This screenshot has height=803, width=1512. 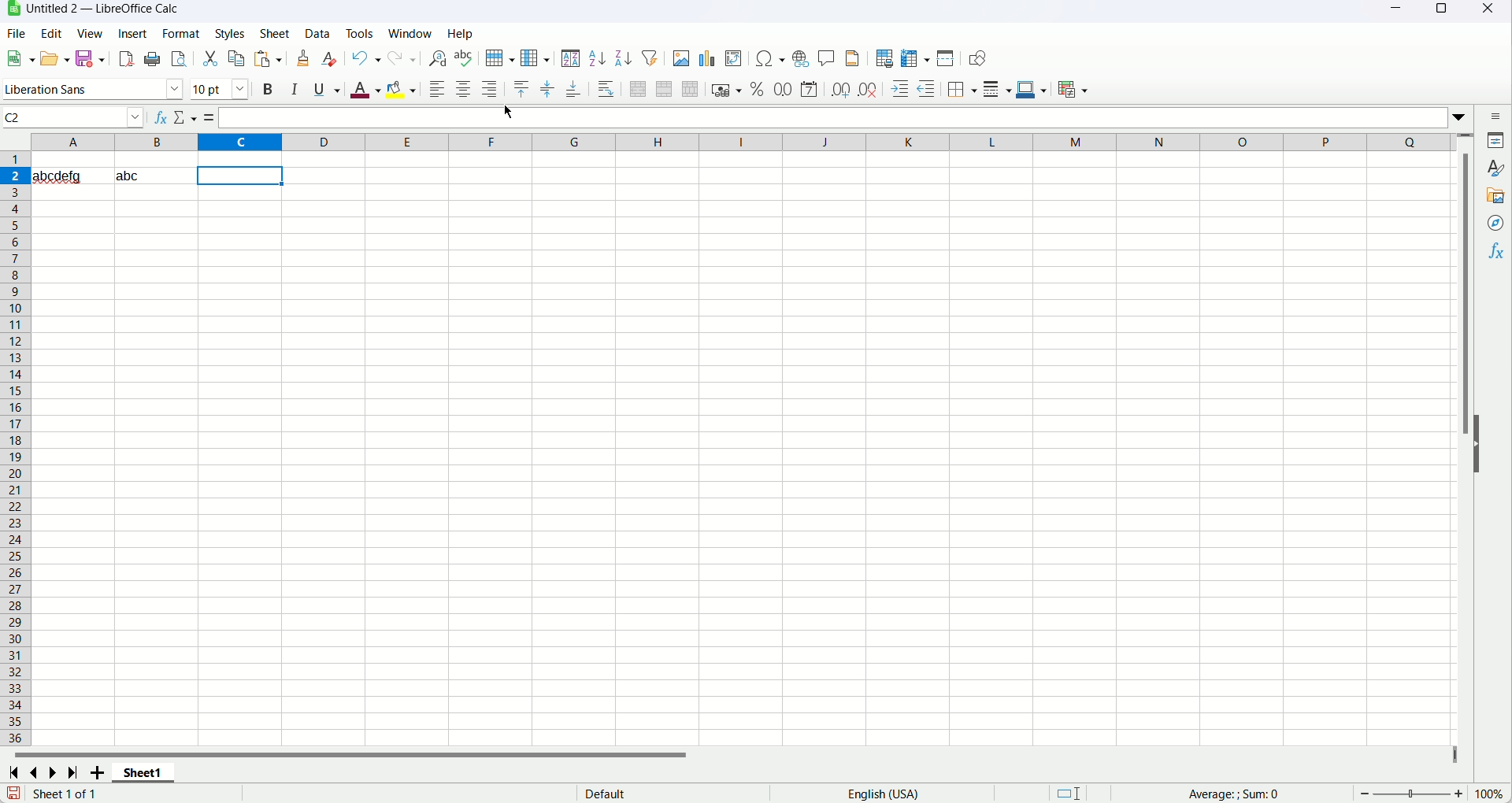 I want to click on tools, so click(x=359, y=33).